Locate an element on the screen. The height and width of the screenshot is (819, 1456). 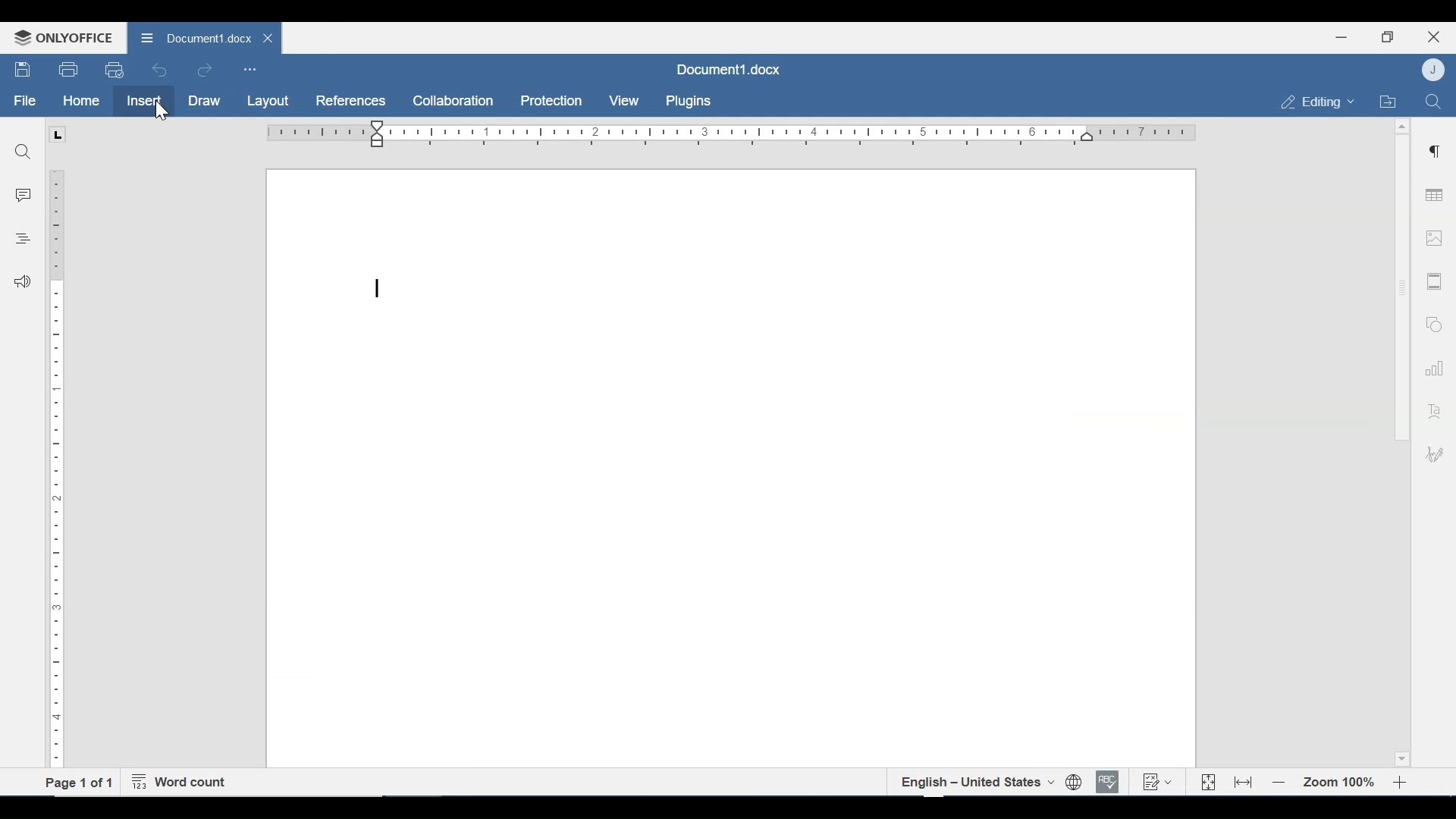
Plugins is located at coordinates (686, 102).